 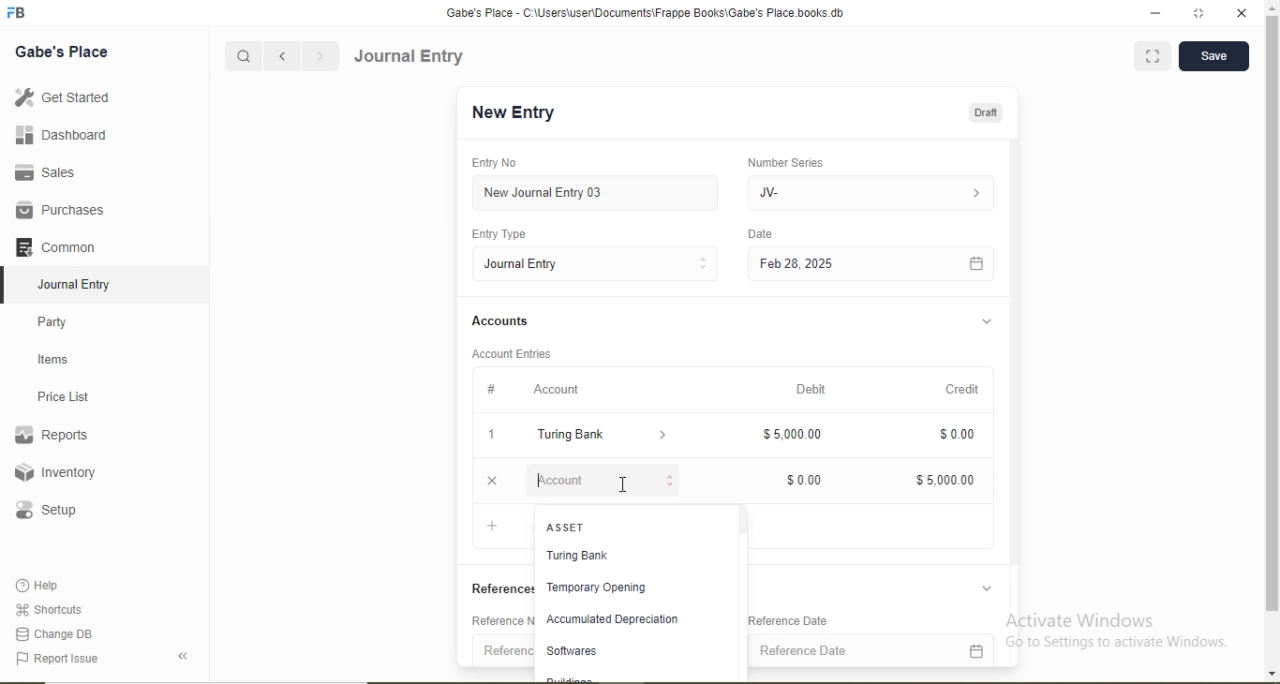 I want to click on Account, so click(x=560, y=388).